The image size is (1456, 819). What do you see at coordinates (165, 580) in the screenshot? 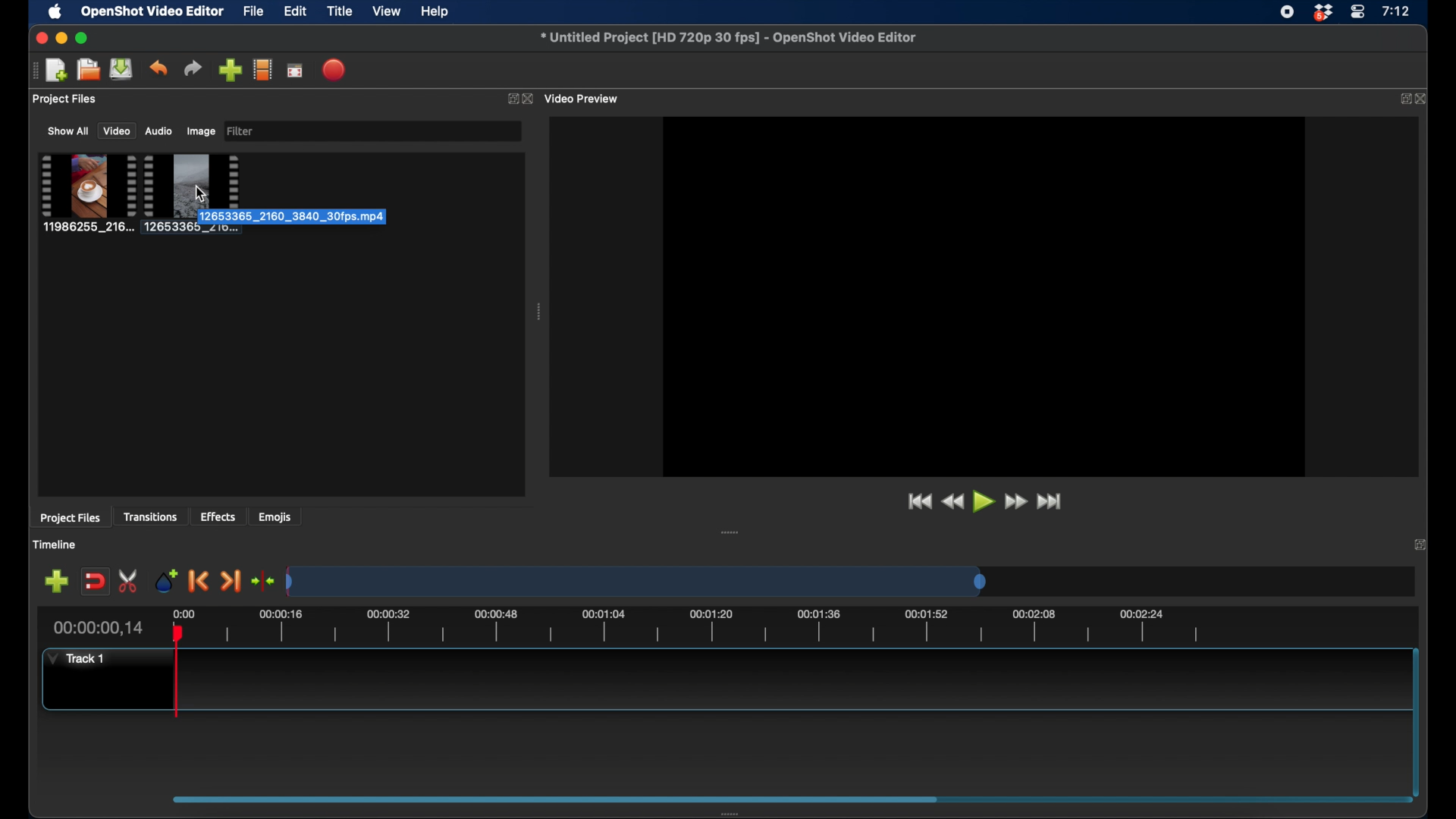
I see `add marker` at bounding box center [165, 580].